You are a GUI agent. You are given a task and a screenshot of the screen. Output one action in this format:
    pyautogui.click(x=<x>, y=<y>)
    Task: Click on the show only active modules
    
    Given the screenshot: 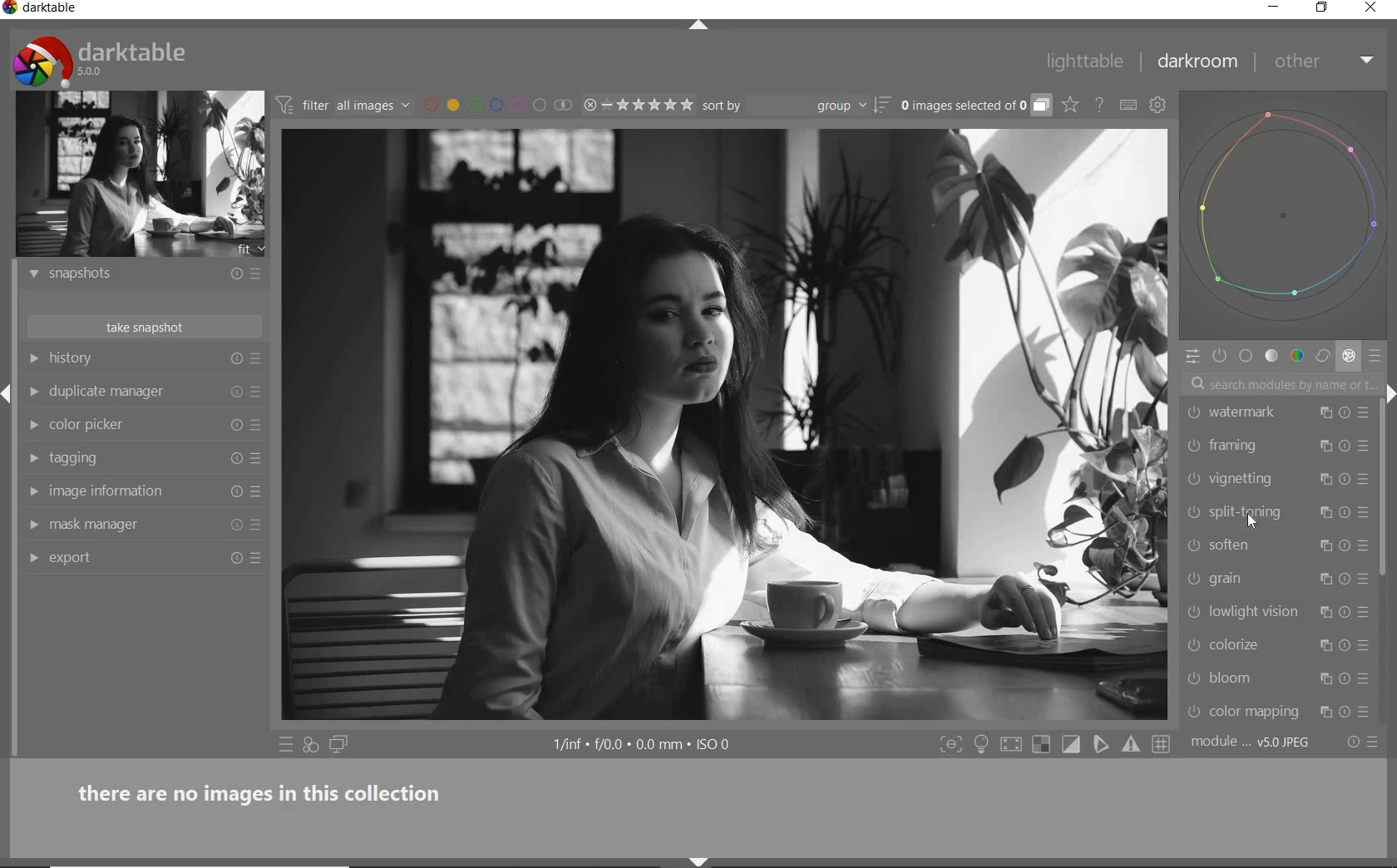 What is the action you would take?
    pyautogui.click(x=1221, y=357)
    